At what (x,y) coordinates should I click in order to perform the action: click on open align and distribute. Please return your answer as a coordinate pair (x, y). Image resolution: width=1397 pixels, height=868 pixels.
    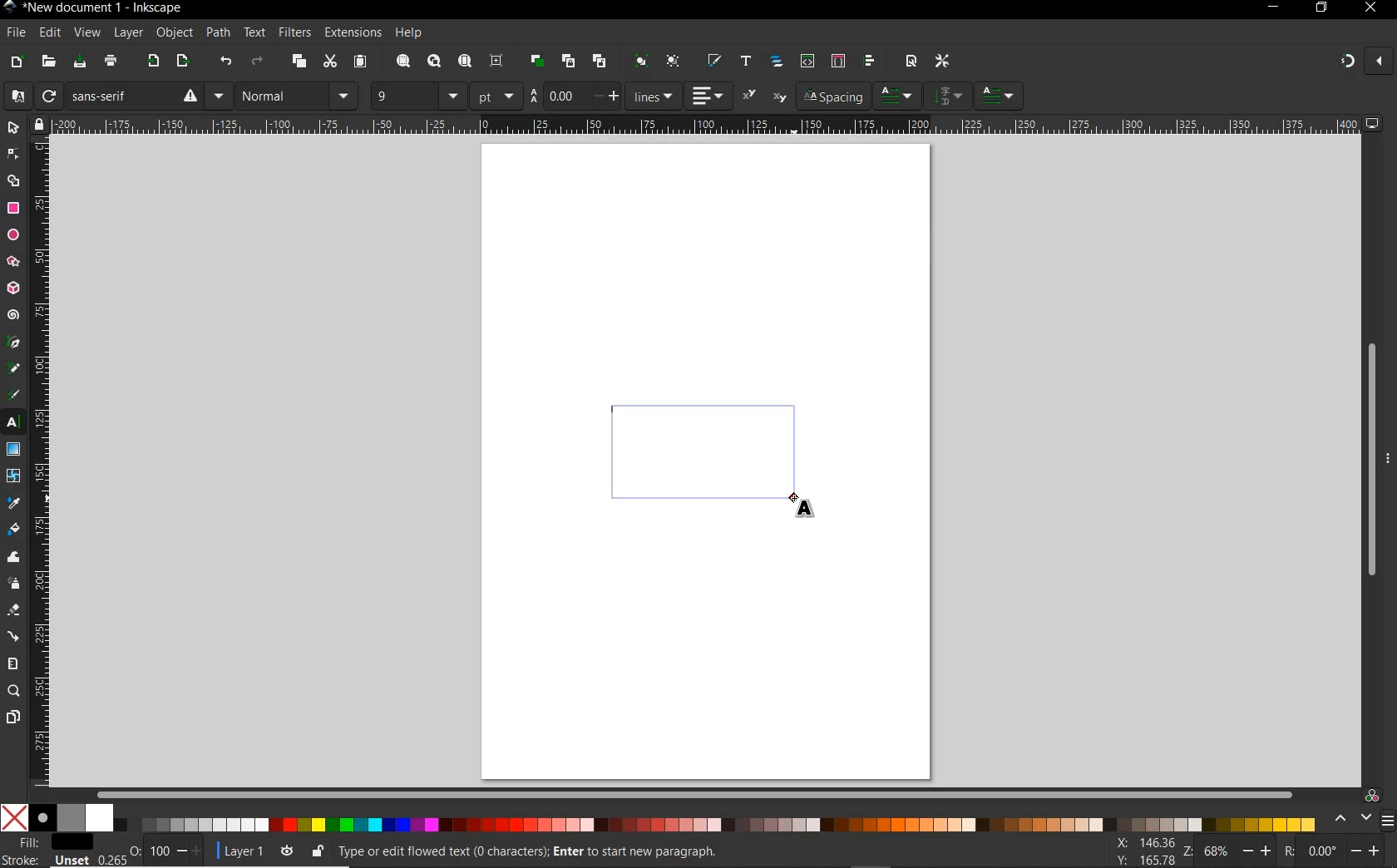
    Looking at the image, I should click on (868, 61).